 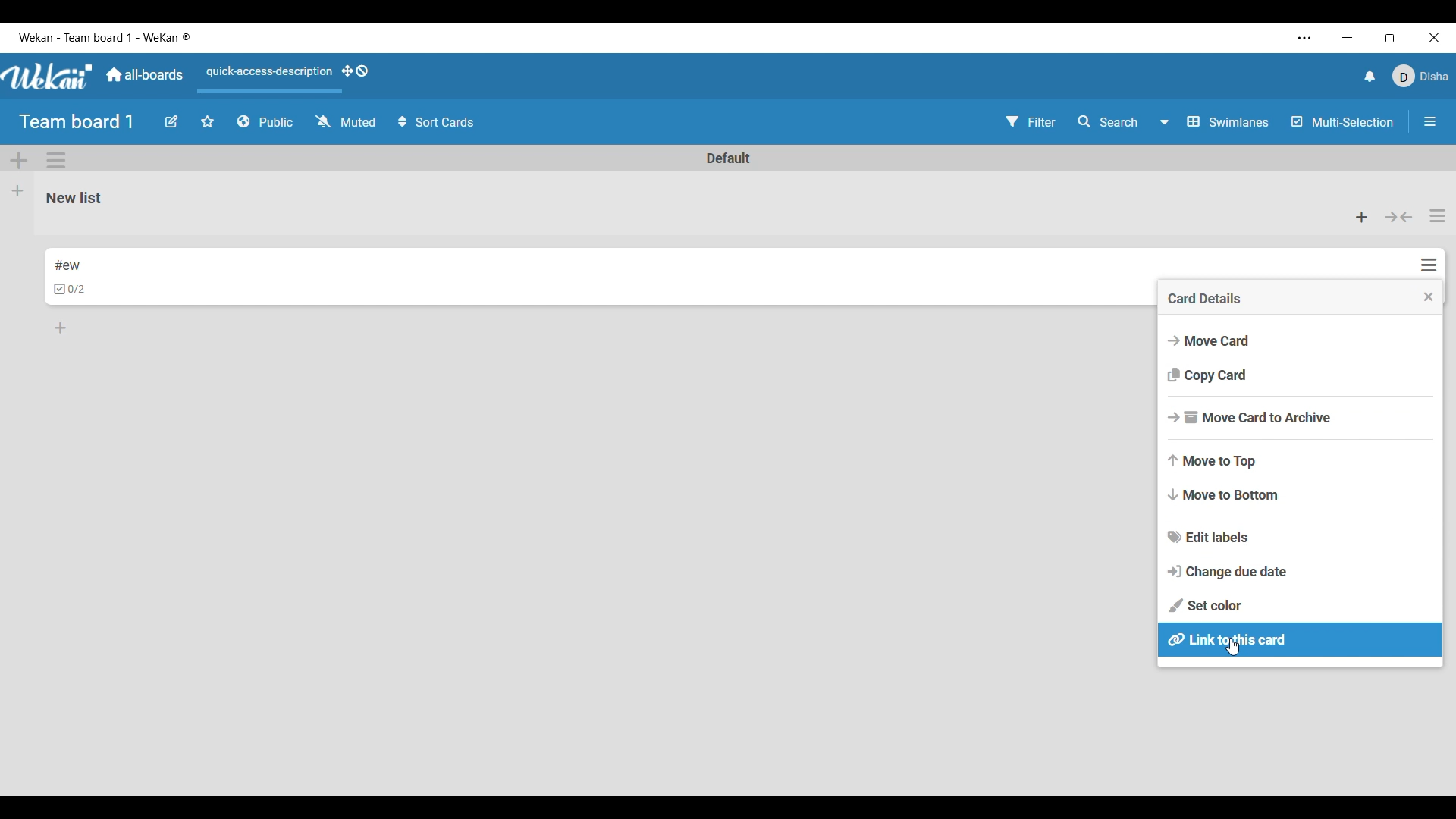 I want to click on Filter, so click(x=1031, y=121).